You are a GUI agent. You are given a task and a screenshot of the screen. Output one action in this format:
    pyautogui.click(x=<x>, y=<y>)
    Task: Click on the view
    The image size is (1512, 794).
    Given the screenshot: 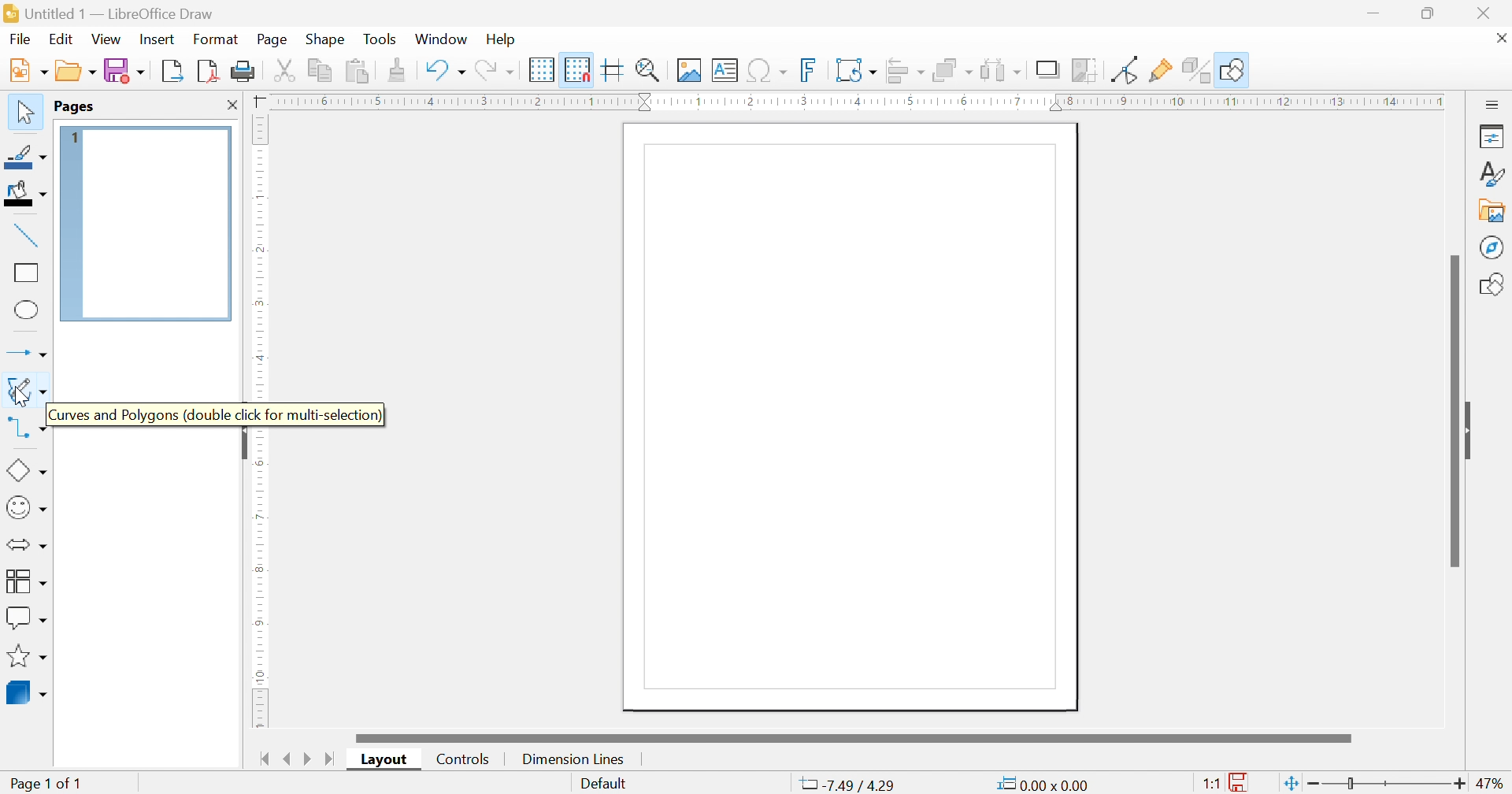 What is the action you would take?
    pyautogui.click(x=106, y=39)
    